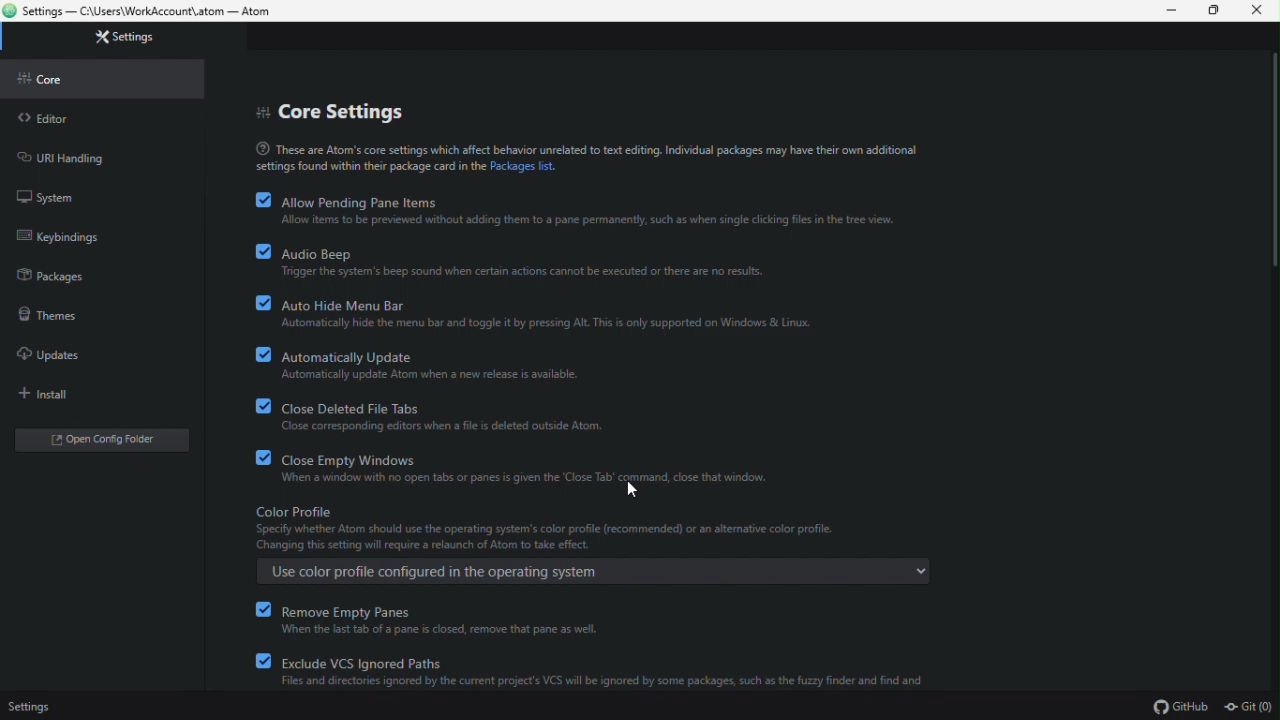 Image resolution: width=1280 pixels, height=720 pixels. I want to click on keybinding, so click(78, 236).